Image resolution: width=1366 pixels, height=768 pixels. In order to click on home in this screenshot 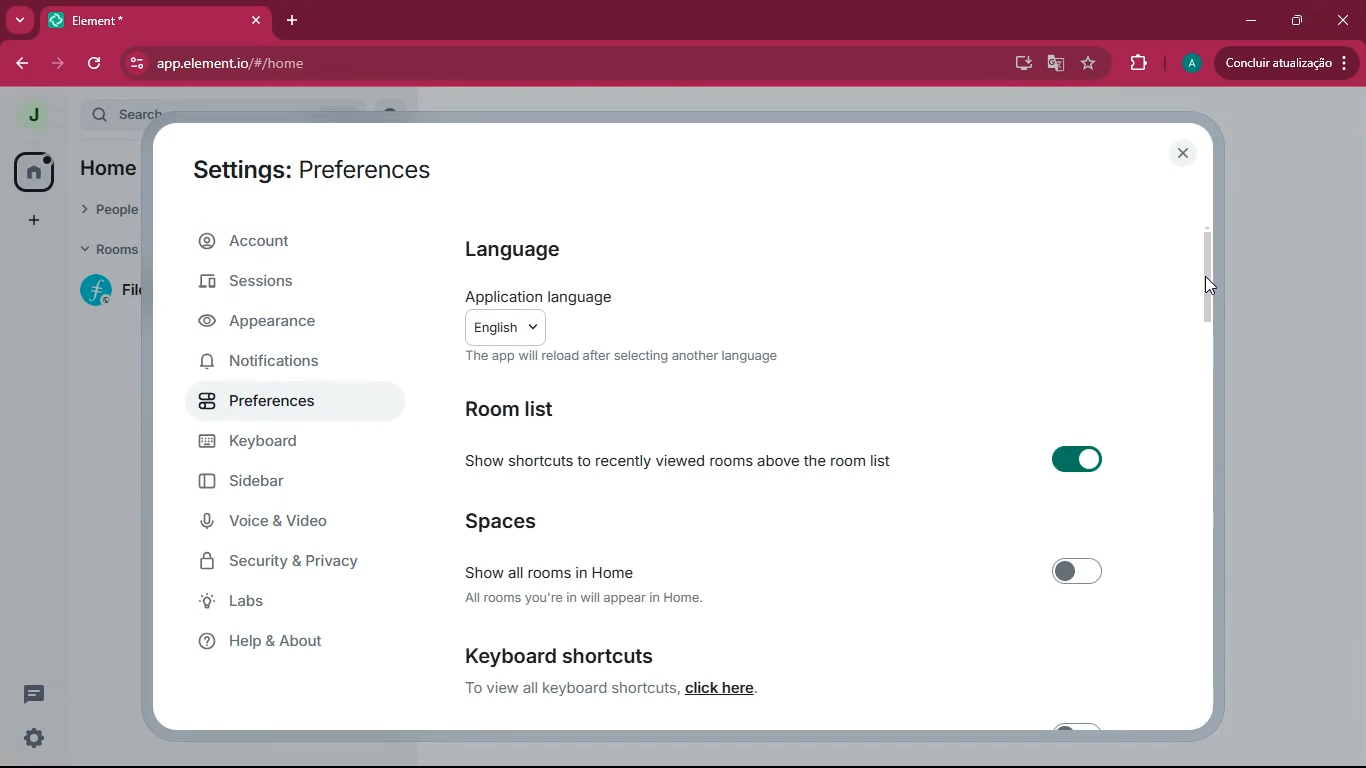, I will do `click(28, 172)`.